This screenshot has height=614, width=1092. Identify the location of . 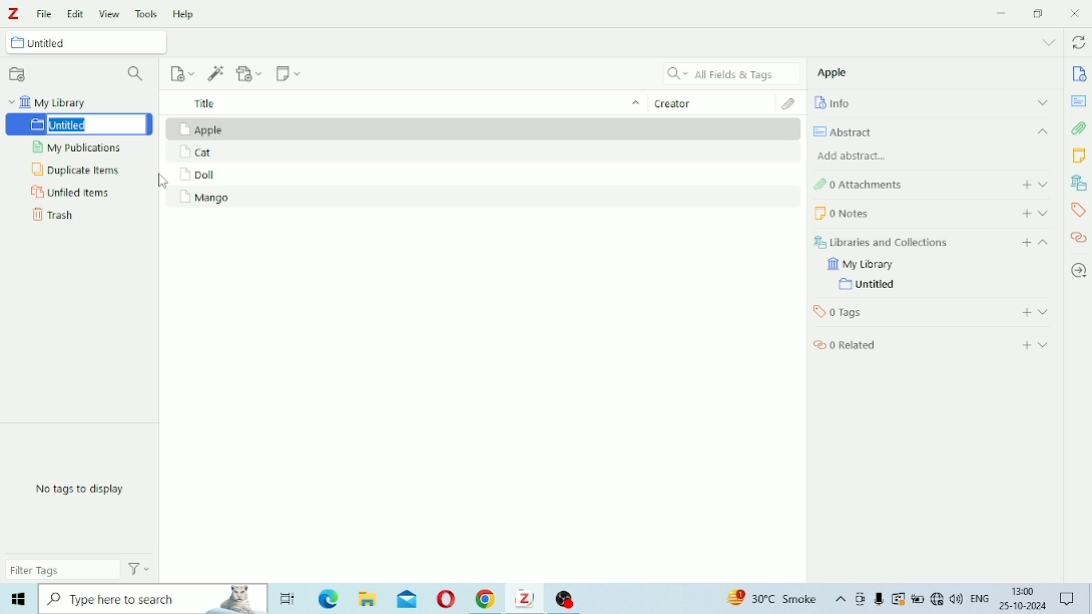
(978, 598).